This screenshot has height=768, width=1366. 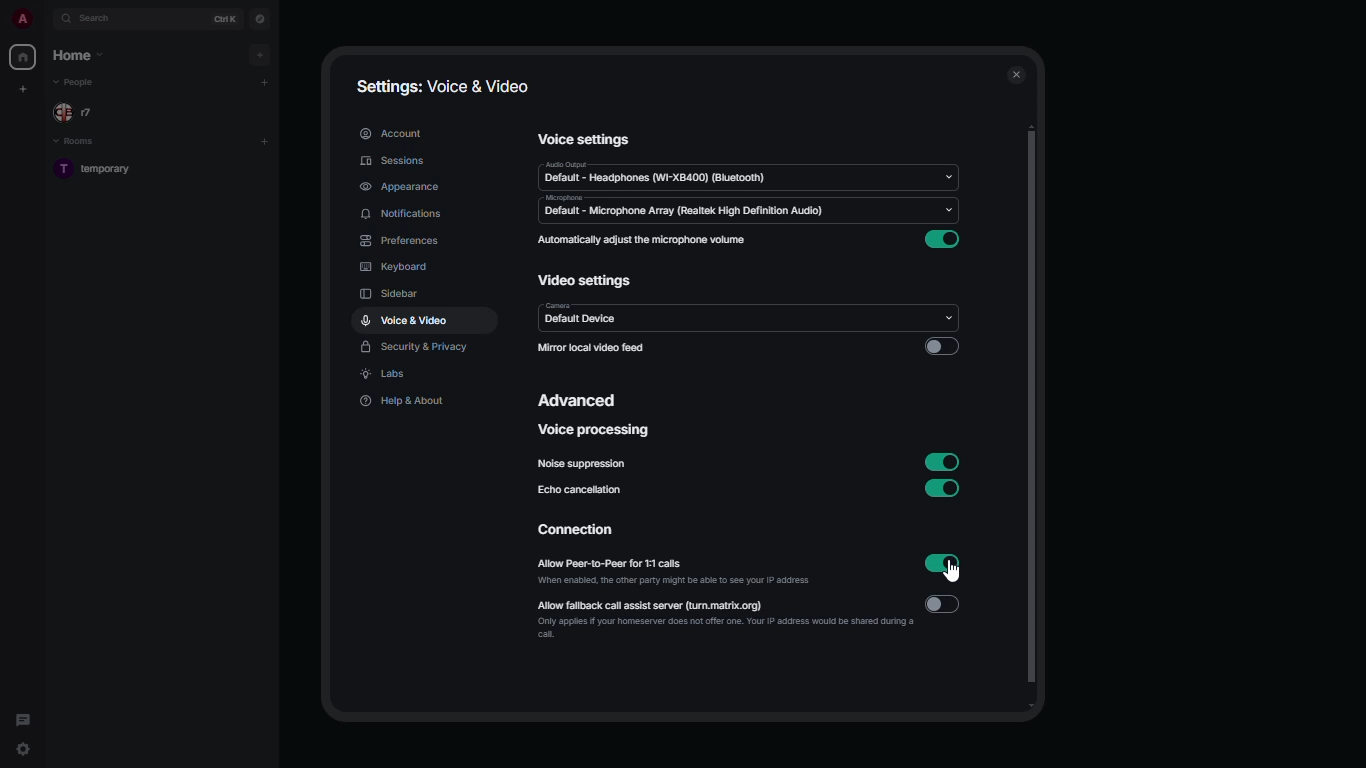 I want to click on cursor, so click(x=955, y=573).